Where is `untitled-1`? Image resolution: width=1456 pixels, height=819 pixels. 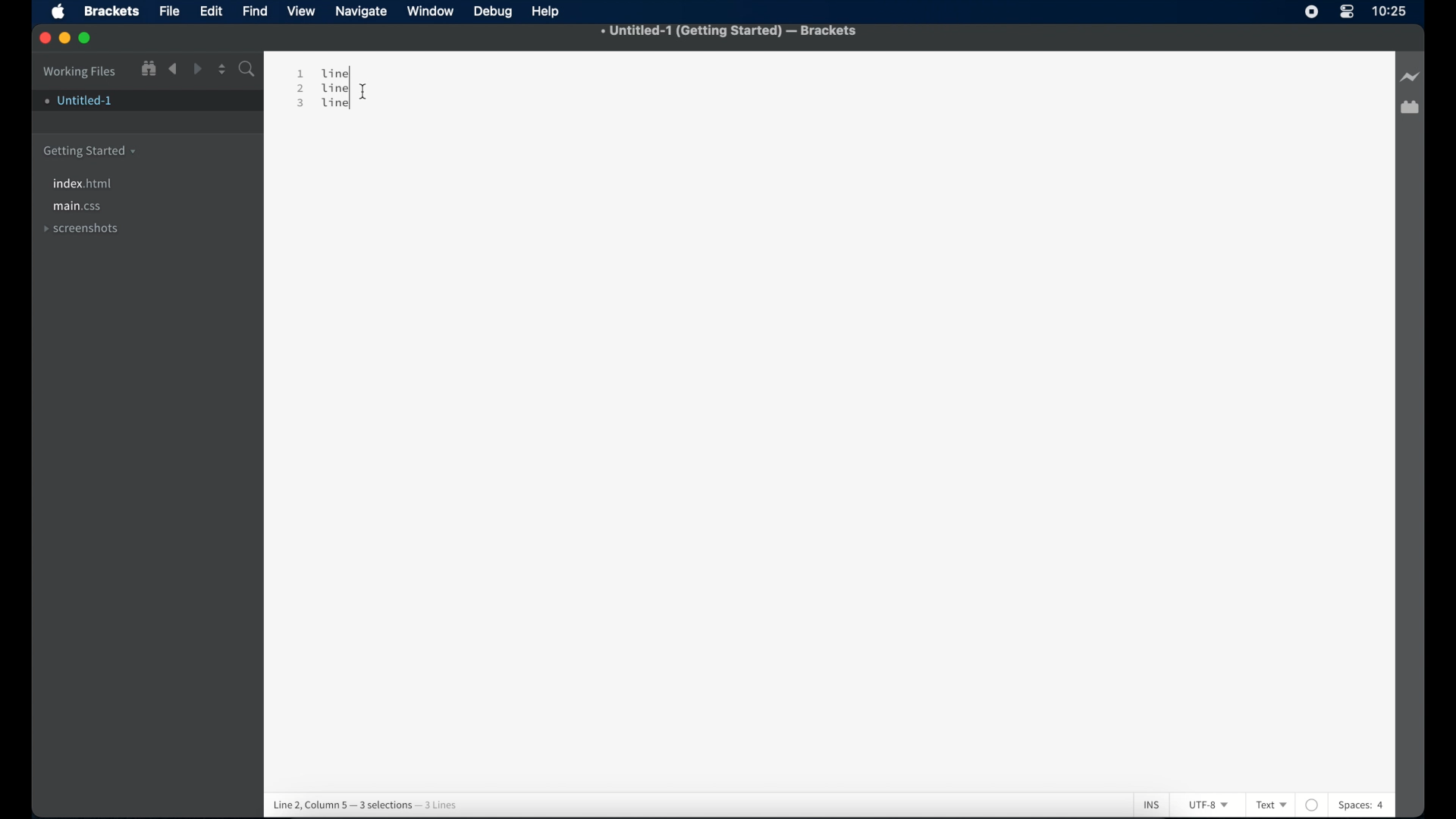 untitled-1 is located at coordinates (80, 103).